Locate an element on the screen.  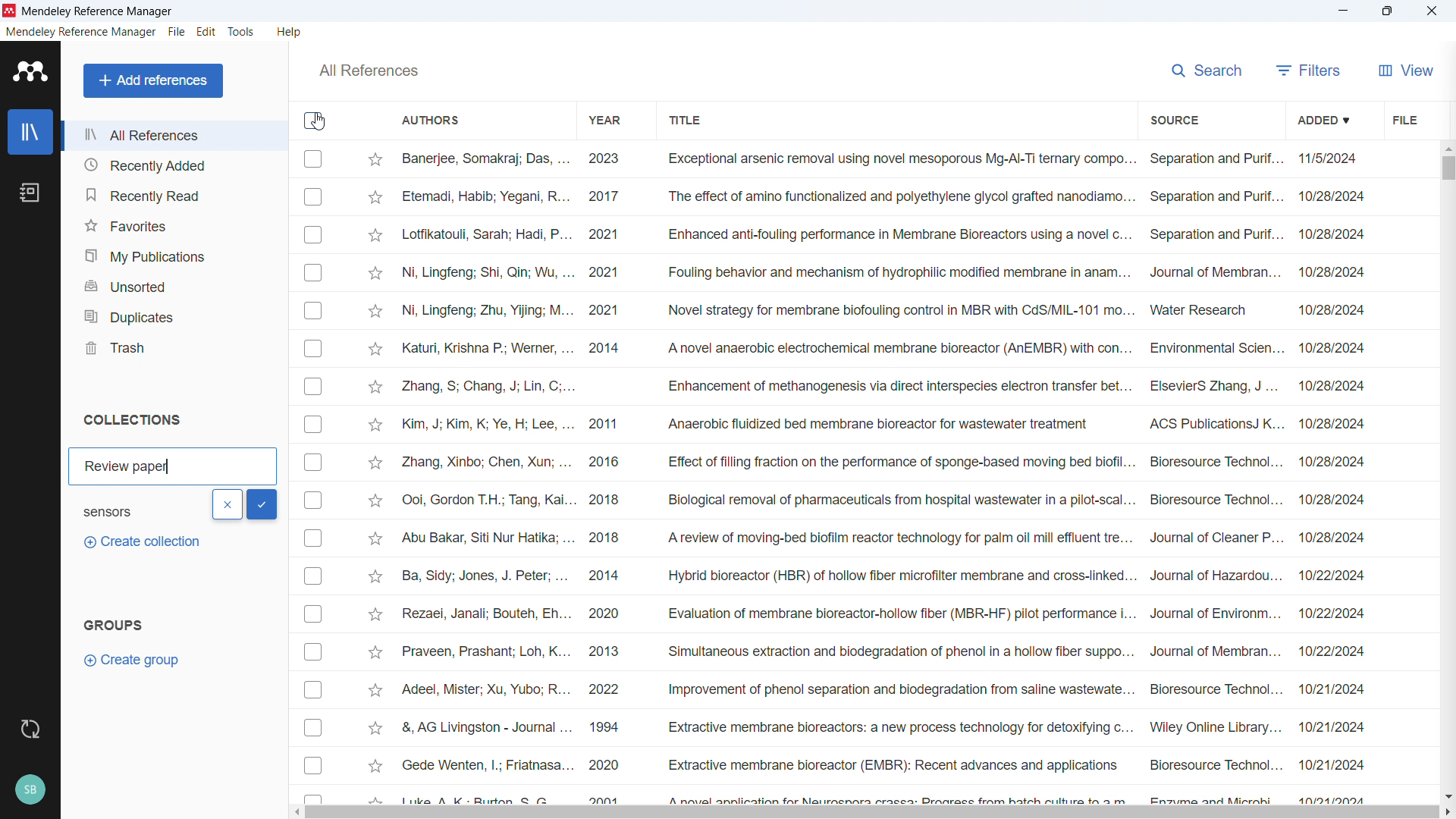
Star mark respective publication is located at coordinates (375, 500).